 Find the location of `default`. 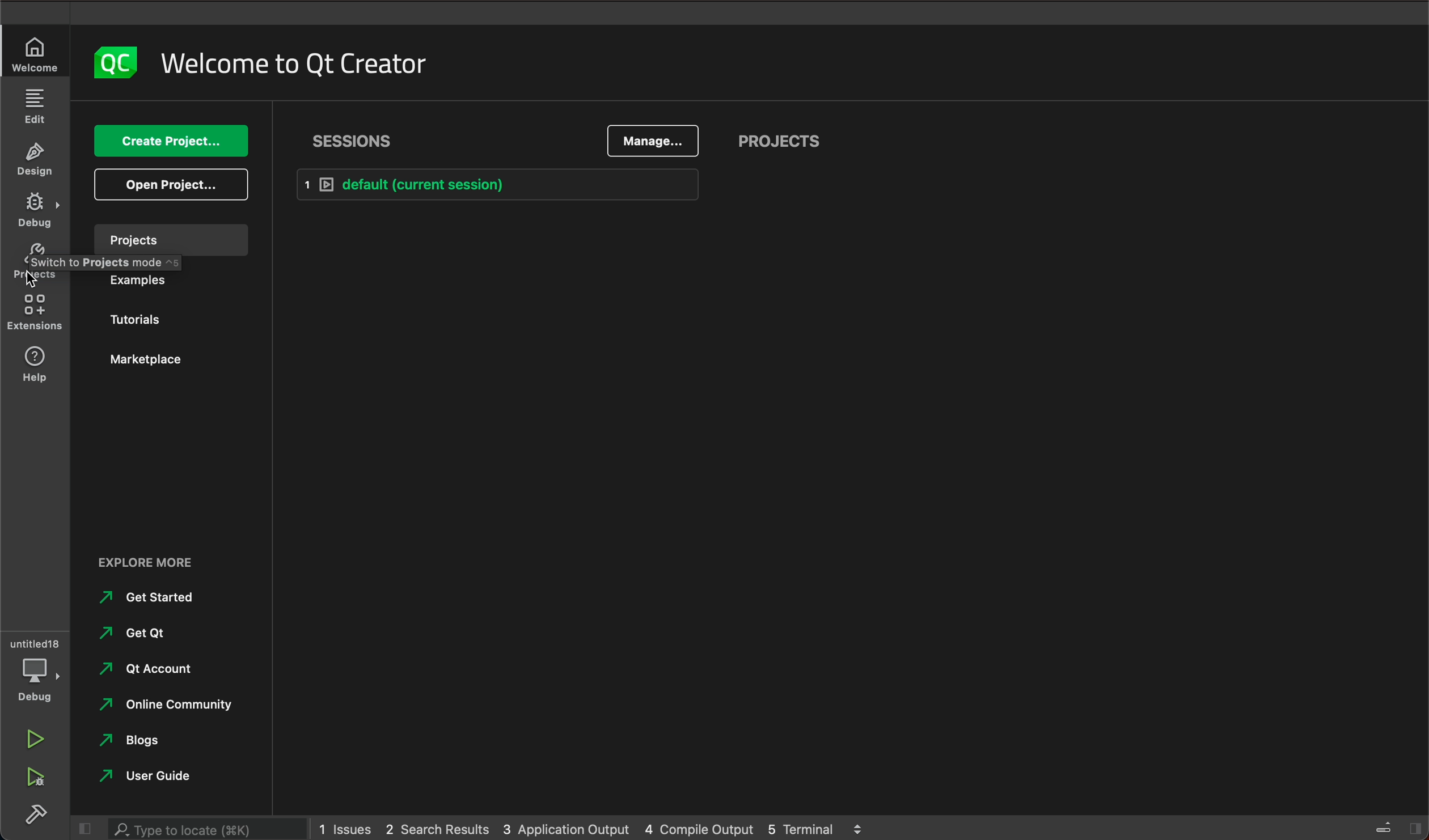

default is located at coordinates (529, 184).